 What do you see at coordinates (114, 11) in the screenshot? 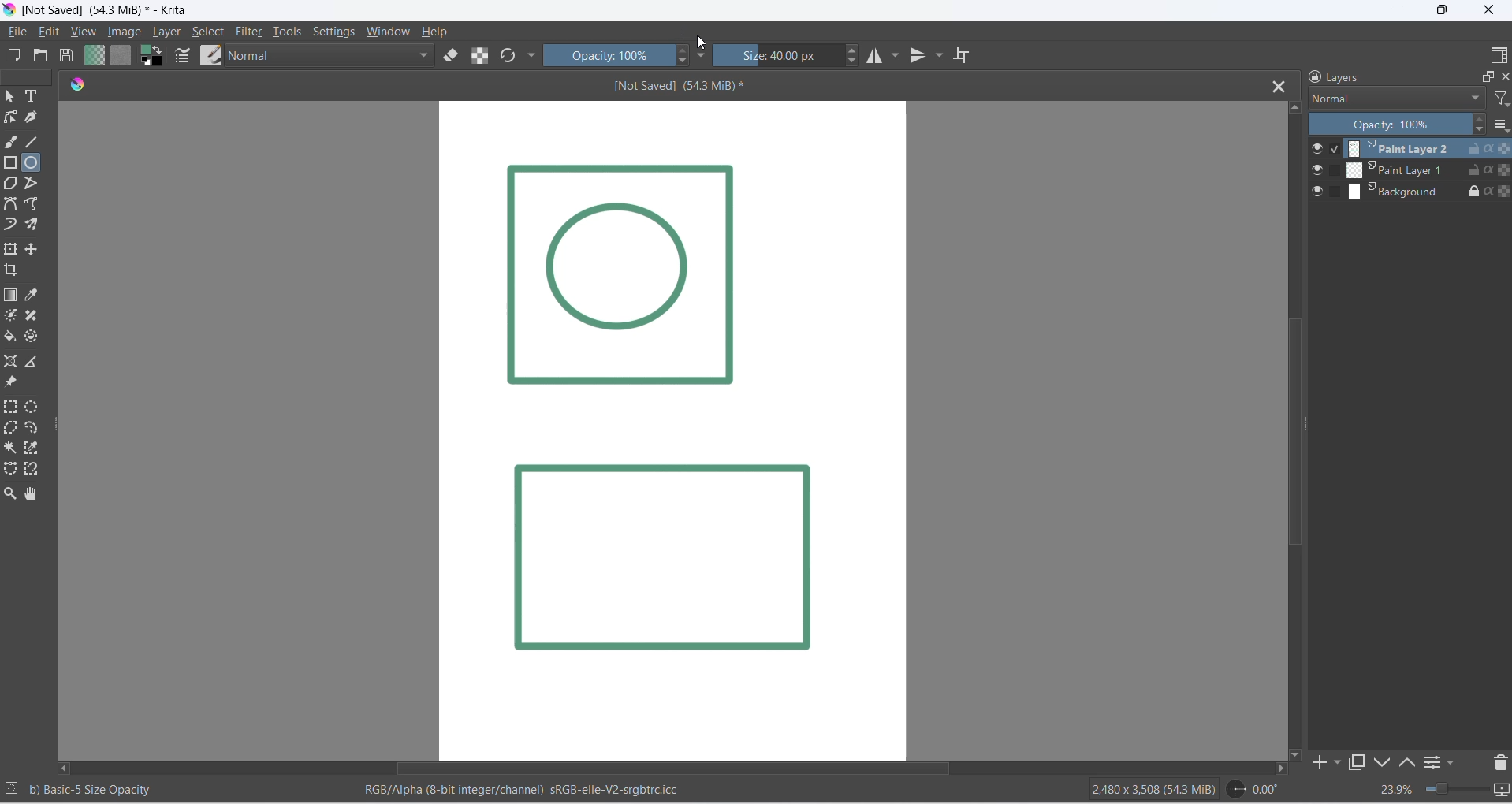
I see `[Not Saved] (48.1 Mib)* - Krita` at bounding box center [114, 11].